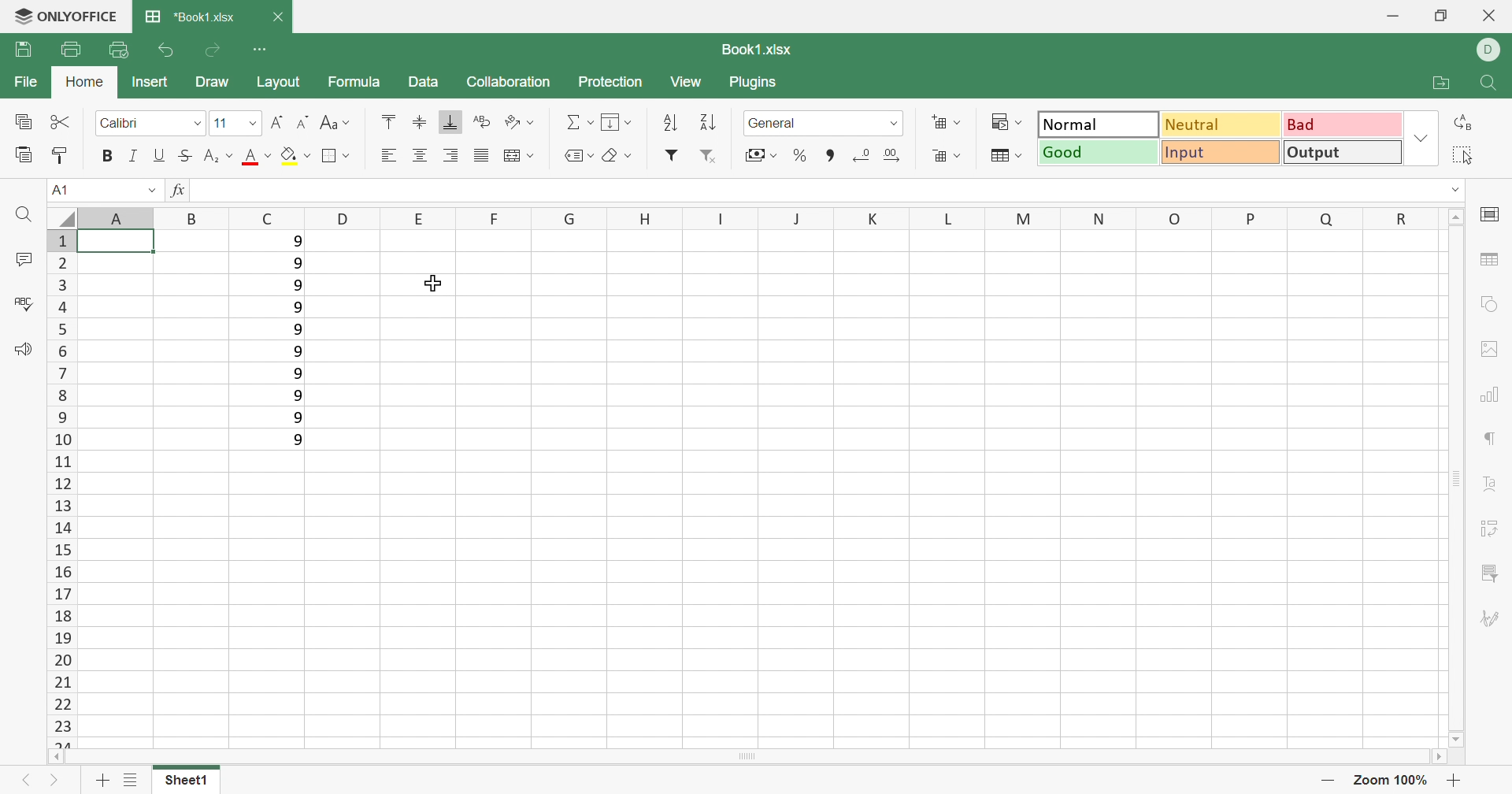 The width and height of the screenshot is (1512, 794). What do you see at coordinates (25, 258) in the screenshot?
I see `Comments` at bounding box center [25, 258].